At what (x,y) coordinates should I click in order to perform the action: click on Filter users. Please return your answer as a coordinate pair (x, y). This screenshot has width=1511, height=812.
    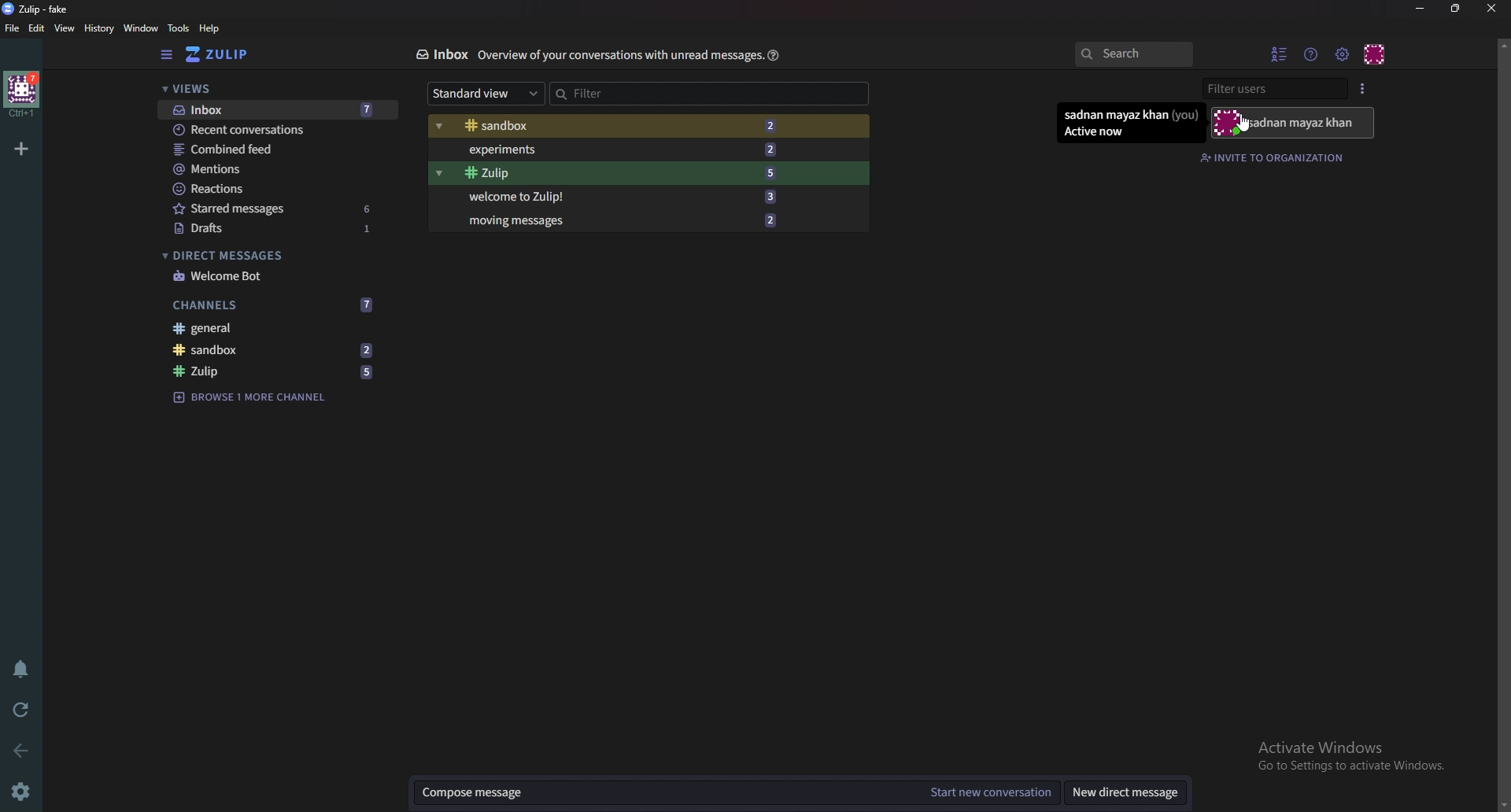
    Looking at the image, I should click on (1273, 90).